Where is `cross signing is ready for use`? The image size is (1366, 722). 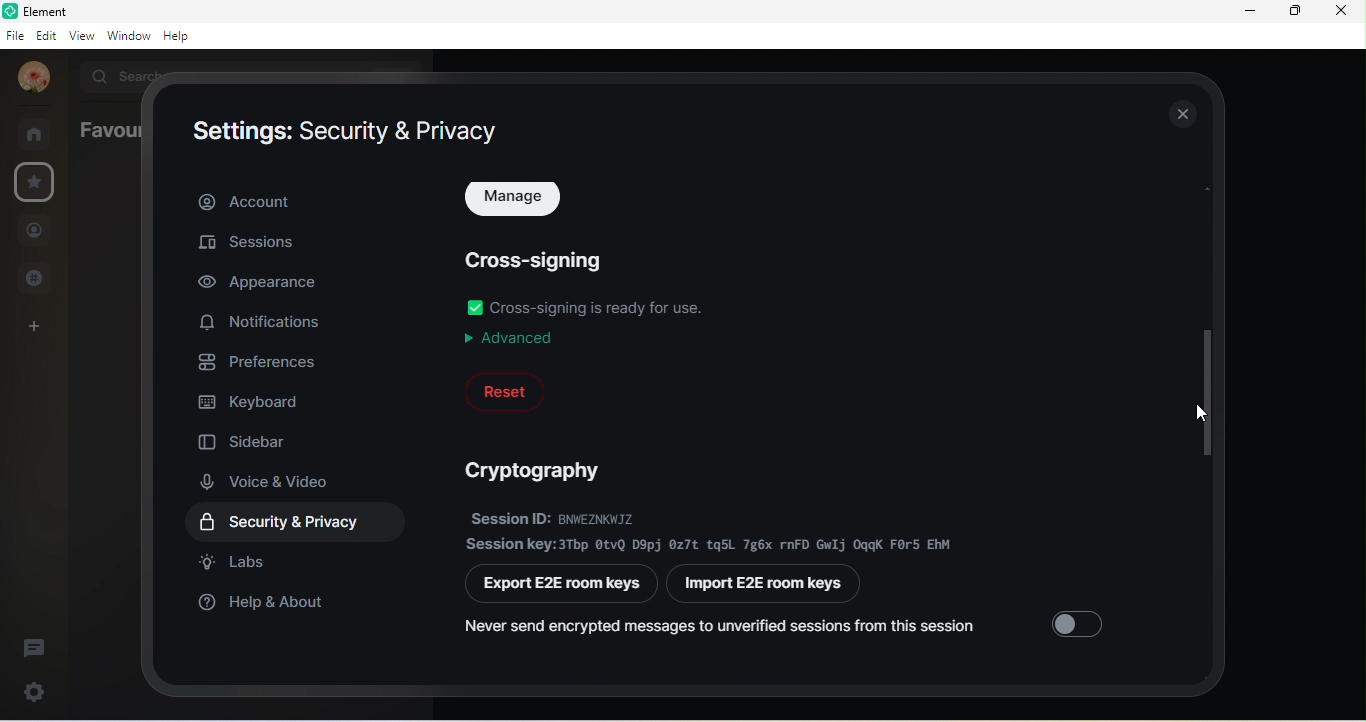 cross signing is ready for use is located at coordinates (602, 306).